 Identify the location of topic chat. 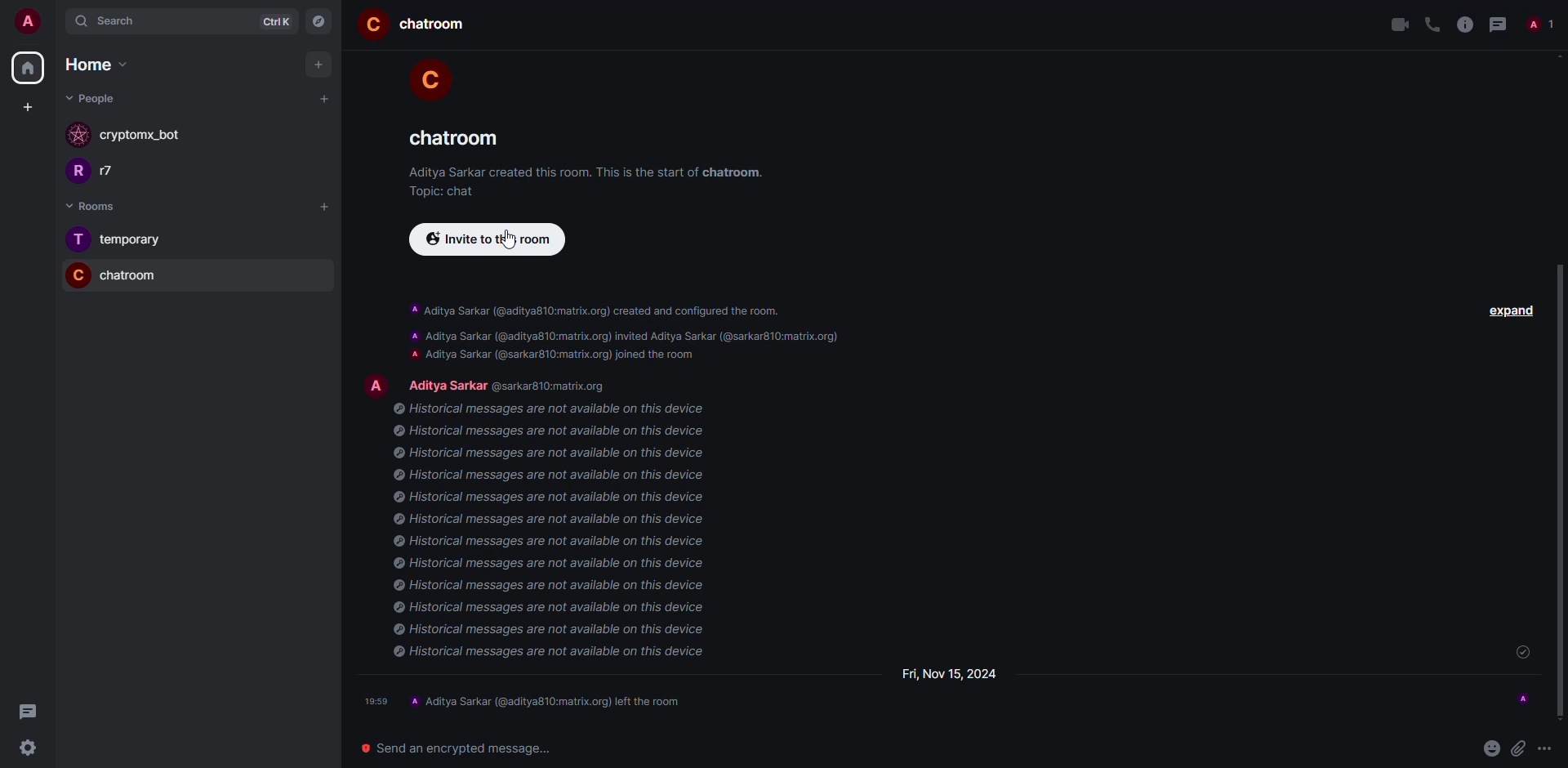
(442, 191).